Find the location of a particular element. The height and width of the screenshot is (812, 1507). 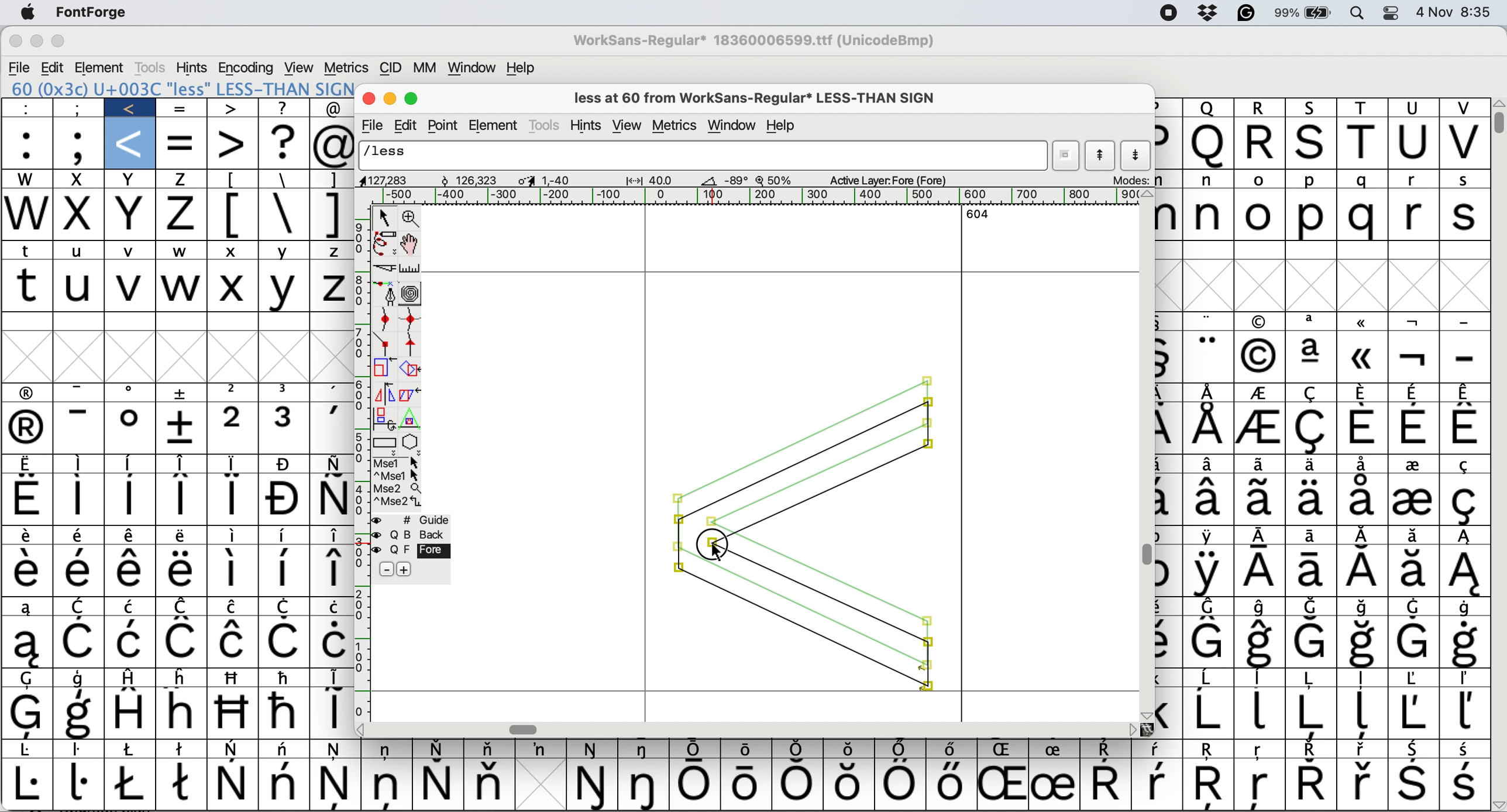

Symbol is located at coordinates (1414, 644).